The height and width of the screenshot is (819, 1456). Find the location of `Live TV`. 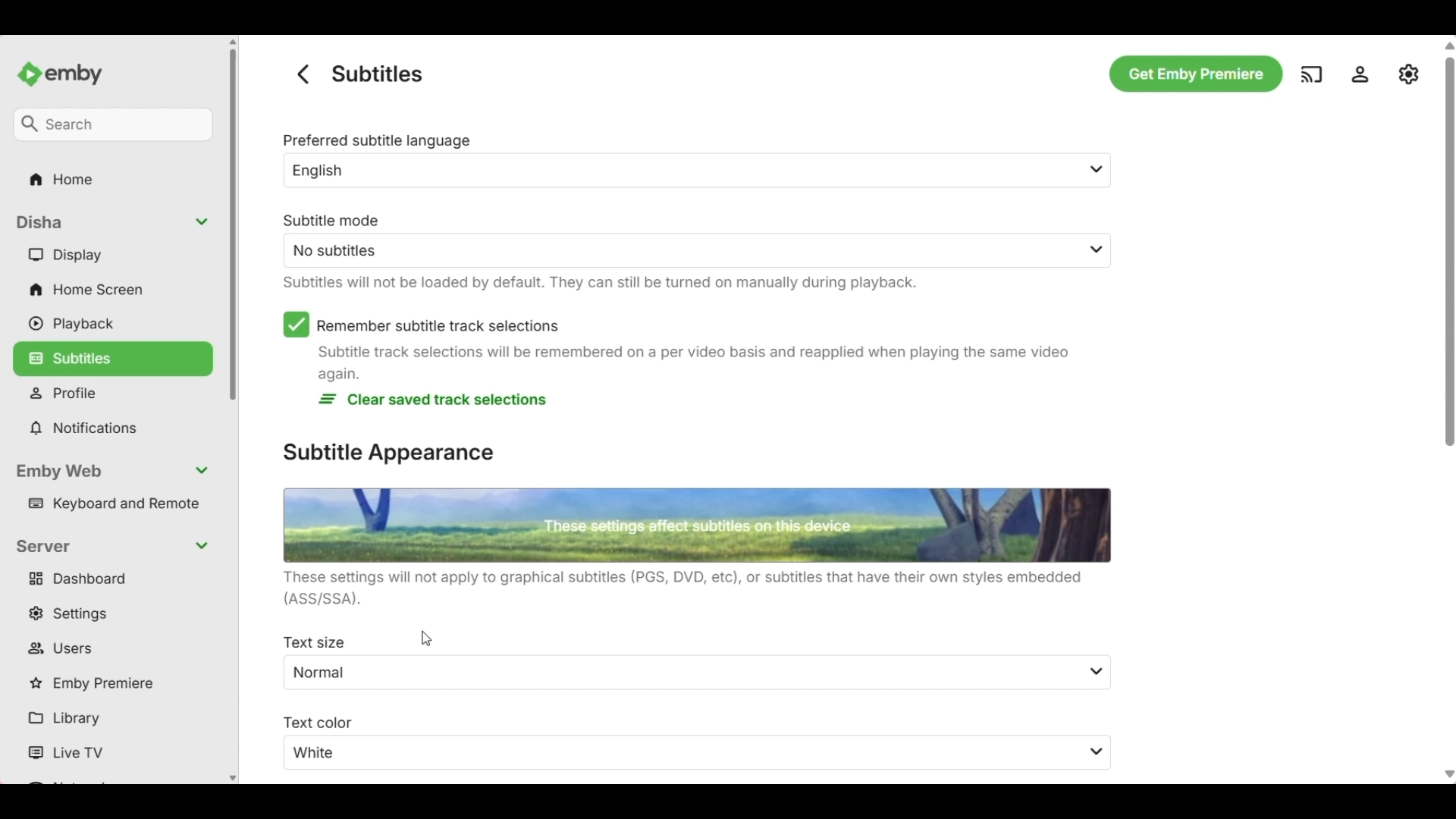

Live TV is located at coordinates (117, 753).